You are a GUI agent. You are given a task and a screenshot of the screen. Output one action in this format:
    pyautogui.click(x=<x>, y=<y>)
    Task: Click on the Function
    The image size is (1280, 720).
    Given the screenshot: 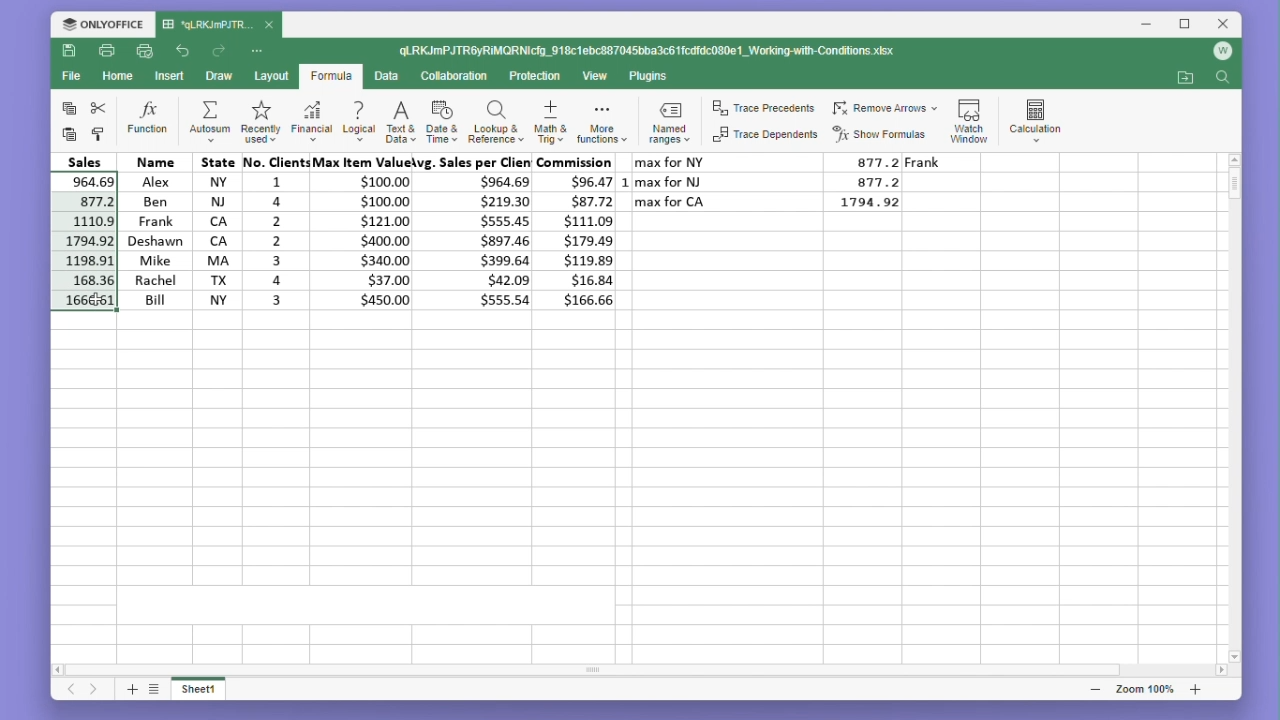 What is the action you would take?
    pyautogui.click(x=149, y=119)
    